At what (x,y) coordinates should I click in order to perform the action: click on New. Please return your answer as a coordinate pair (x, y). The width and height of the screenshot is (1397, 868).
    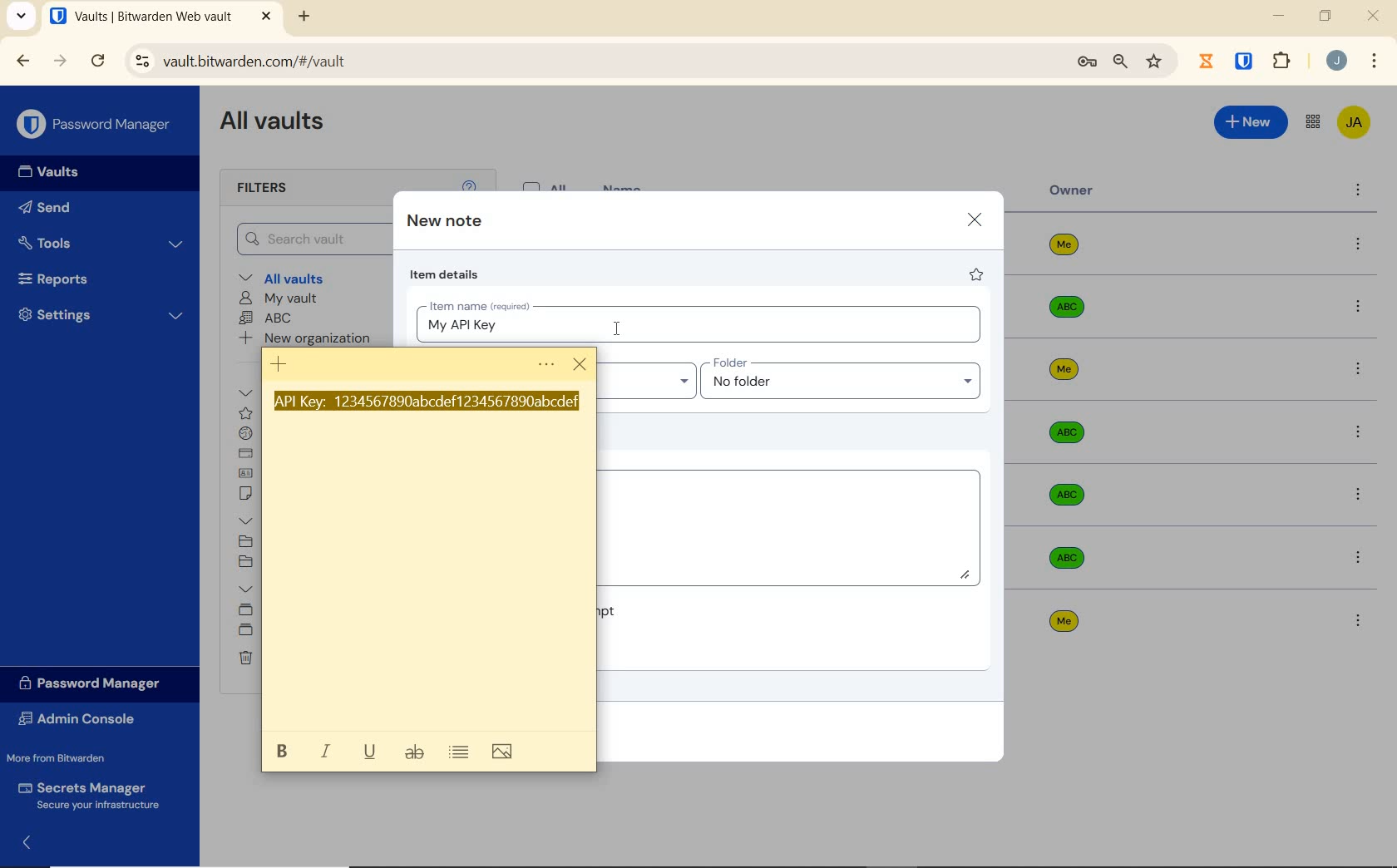
    Looking at the image, I should click on (1250, 122).